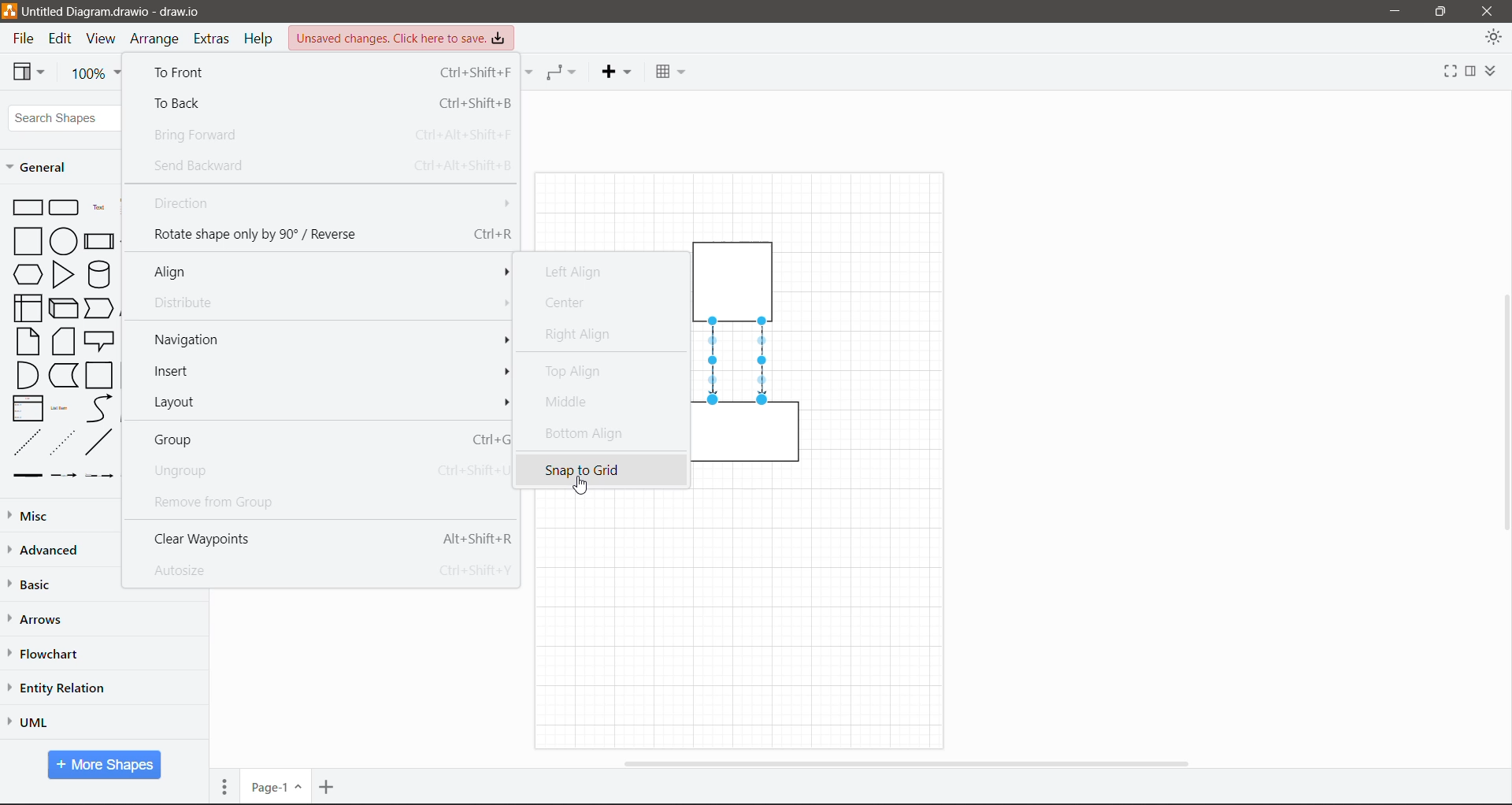 The height and width of the screenshot is (805, 1512). What do you see at coordinates (743, 278) in the screenshot?
I see `container` at bounding box center [743, 278].